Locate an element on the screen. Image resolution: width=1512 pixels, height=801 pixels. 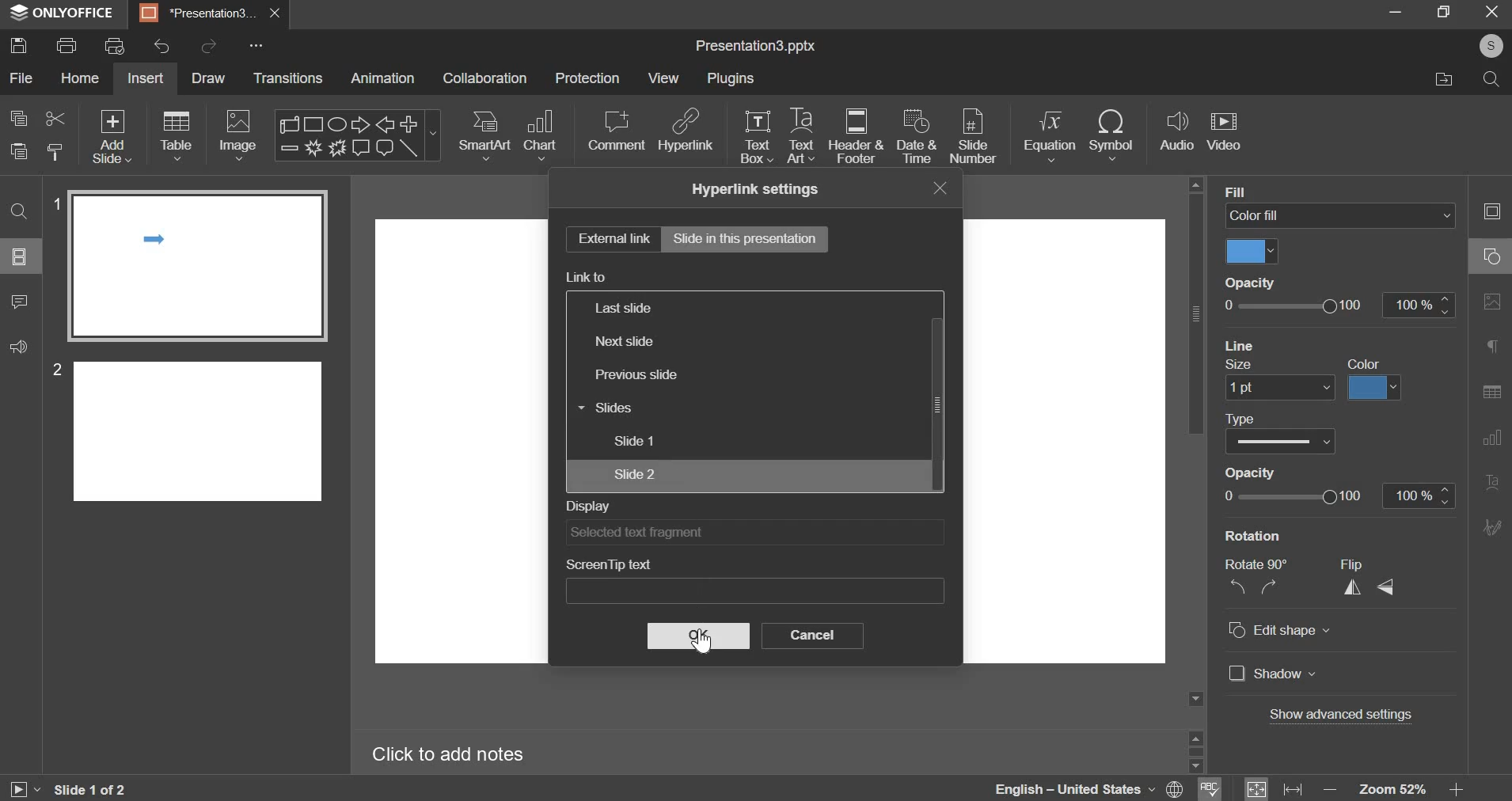
minus is located at coordinates (288, 147).